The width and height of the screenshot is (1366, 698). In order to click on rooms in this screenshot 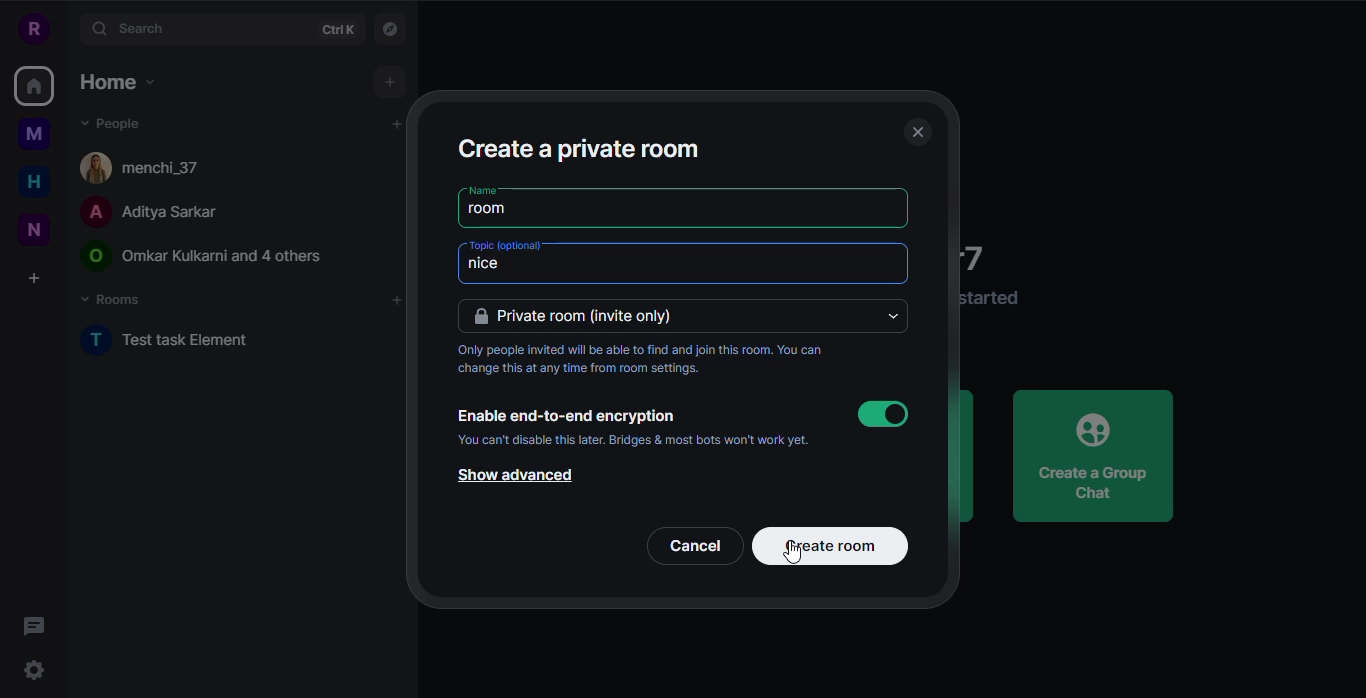, I will do `click(113, 300)`.